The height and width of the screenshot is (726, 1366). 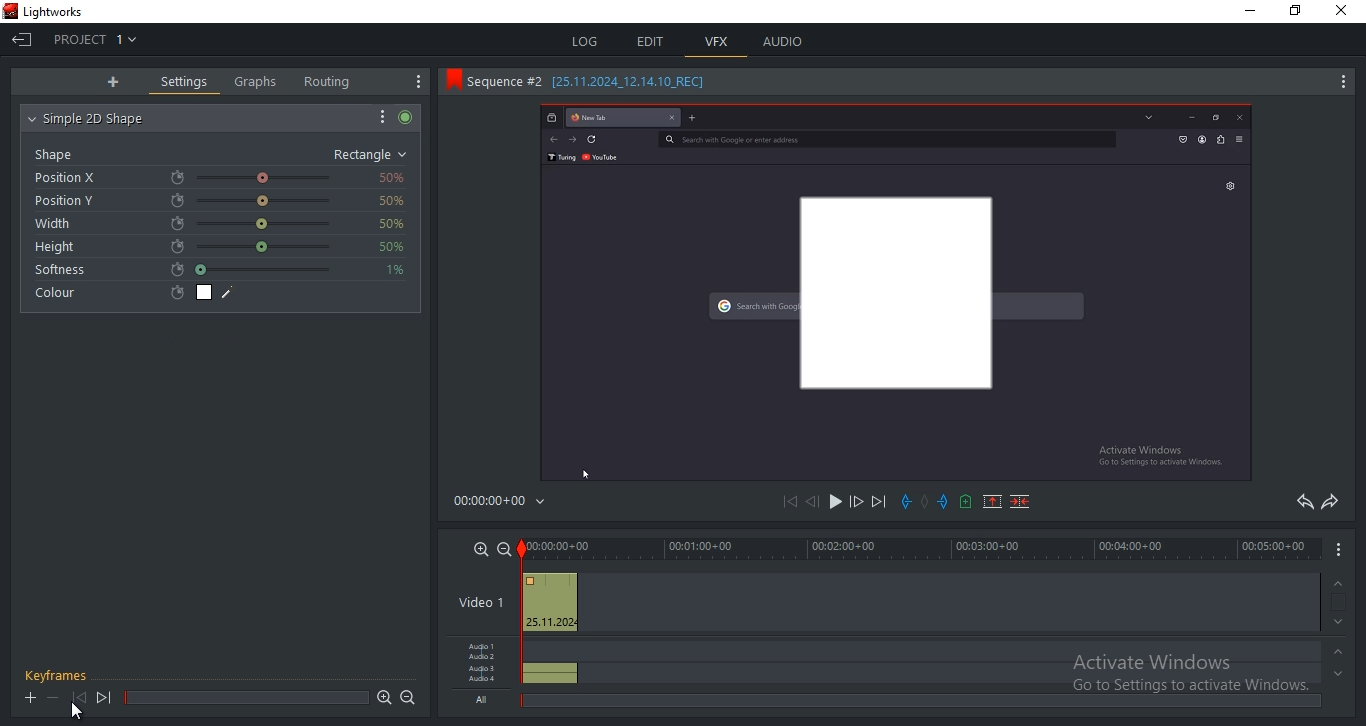 What do you see at coordinates (221, 153) in the screenshot?
I see `shape` at bounding box center [221, 153].